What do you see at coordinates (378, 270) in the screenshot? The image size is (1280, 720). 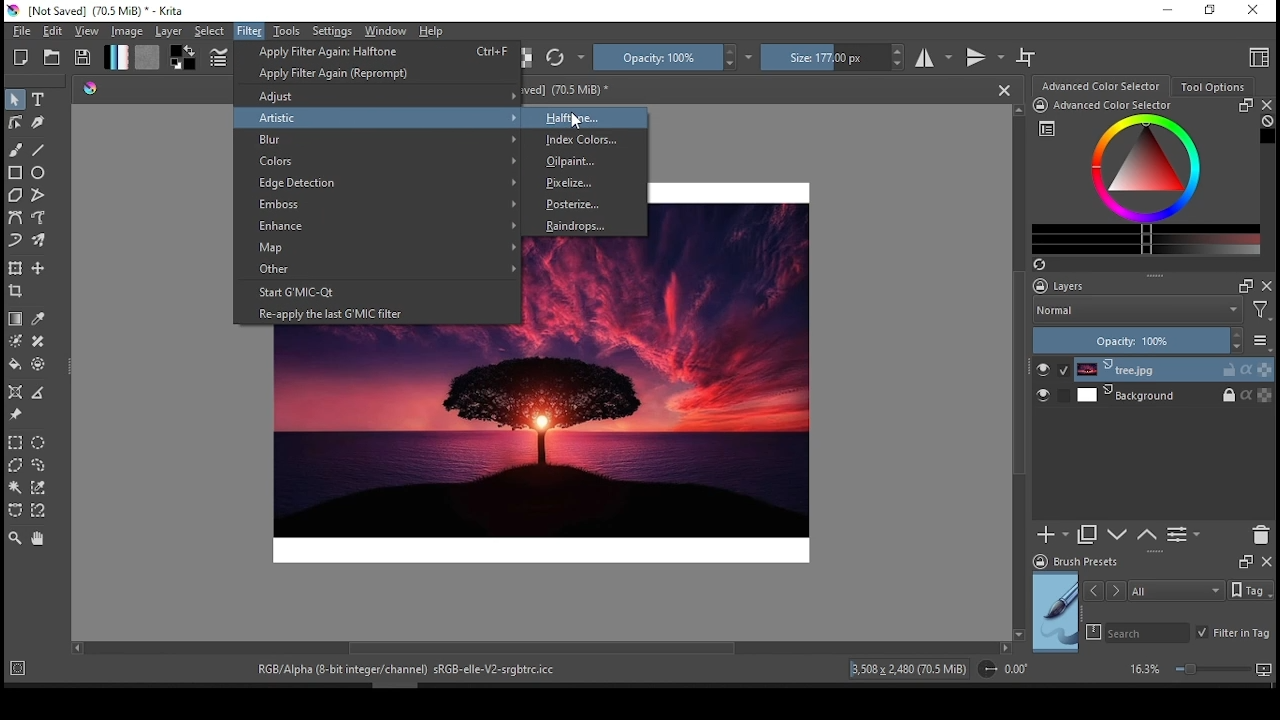 I see `other` at bounding box center [378, 270].